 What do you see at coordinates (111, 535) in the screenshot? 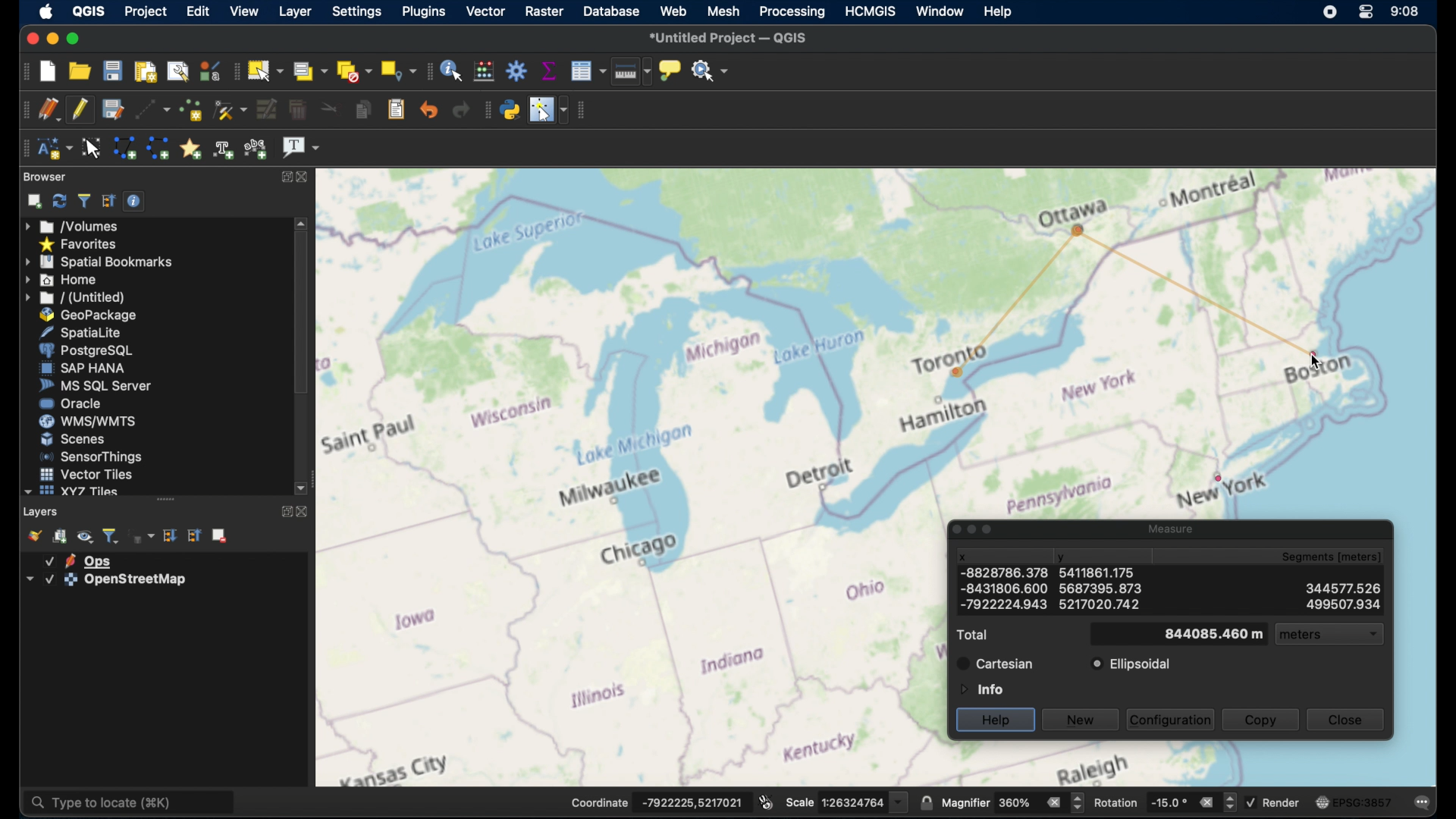
I see `filter legend` at bounding box center [111, 535].